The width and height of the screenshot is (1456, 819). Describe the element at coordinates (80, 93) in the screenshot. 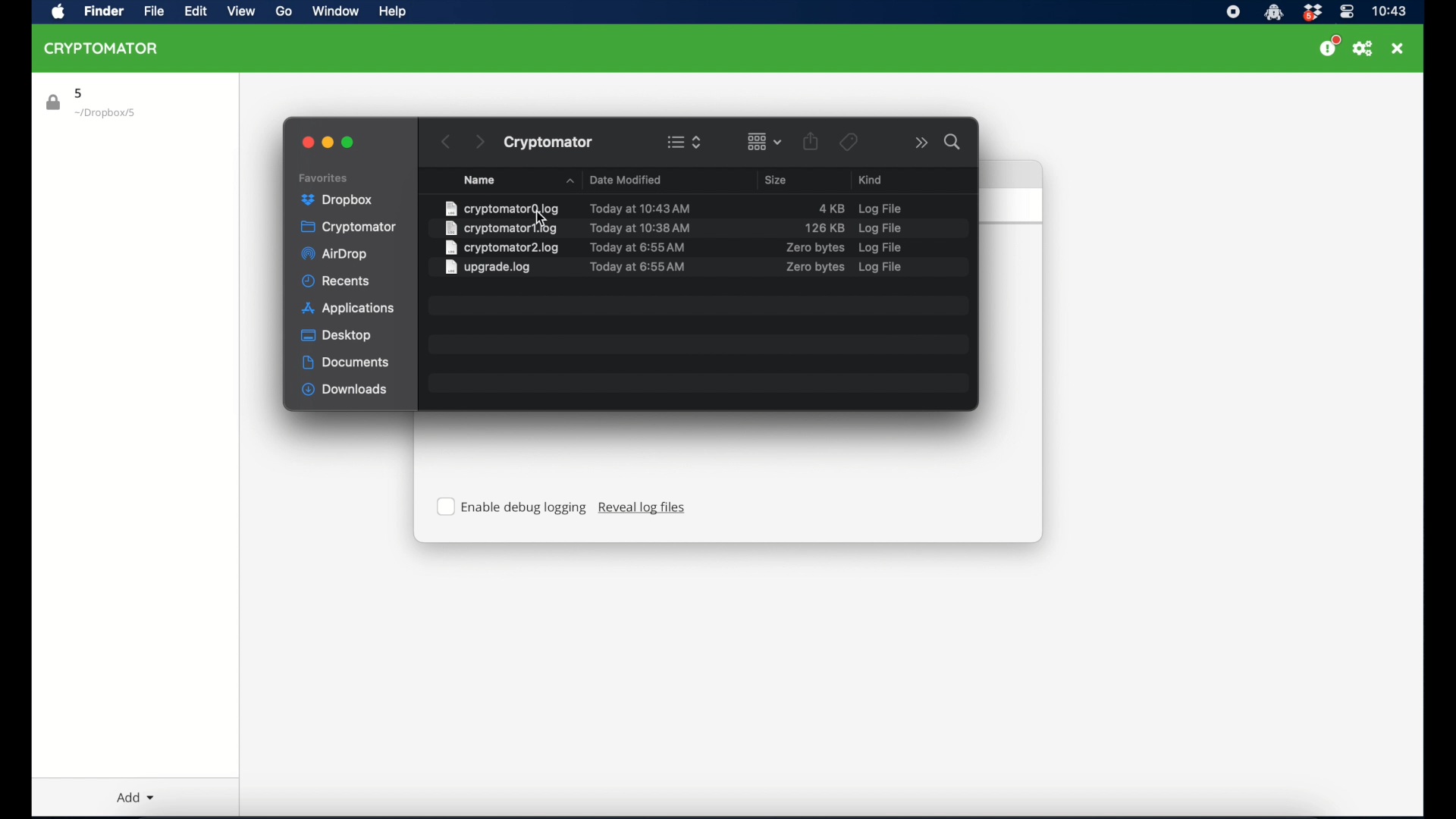

I see `5` at that location.